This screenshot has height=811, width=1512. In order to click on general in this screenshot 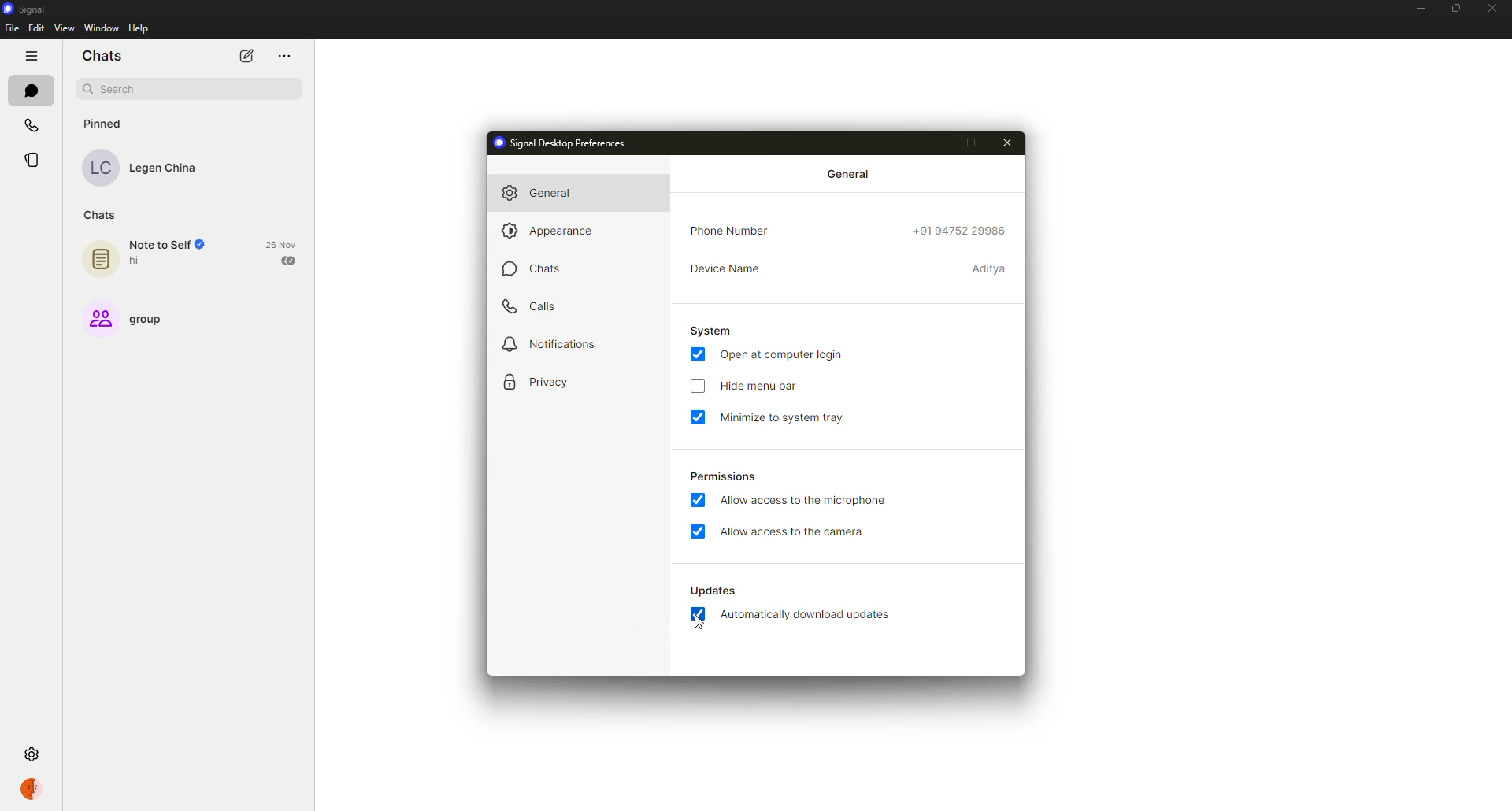, I will do `click(547, 194)`.